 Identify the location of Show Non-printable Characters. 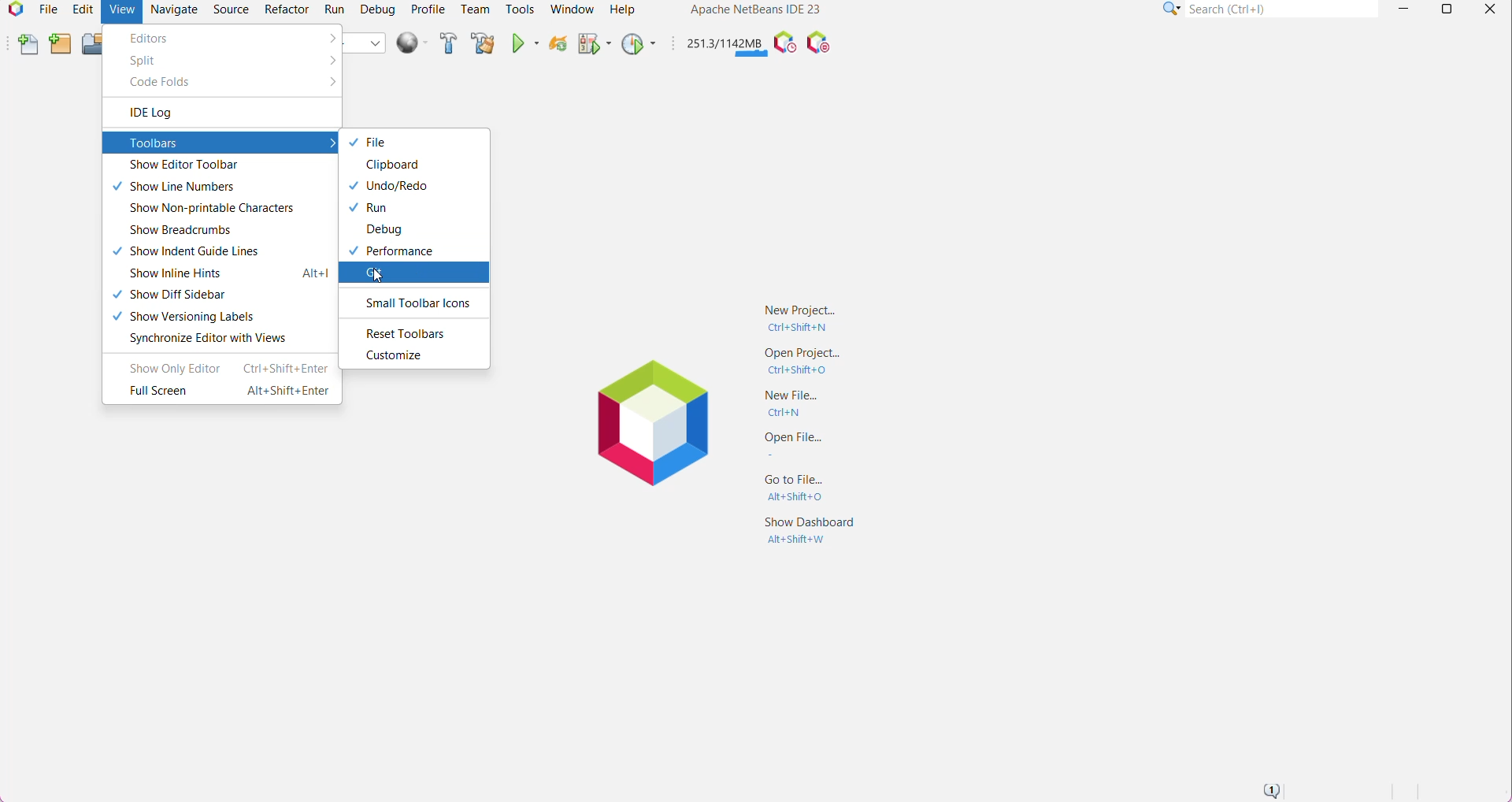
(210, 209).